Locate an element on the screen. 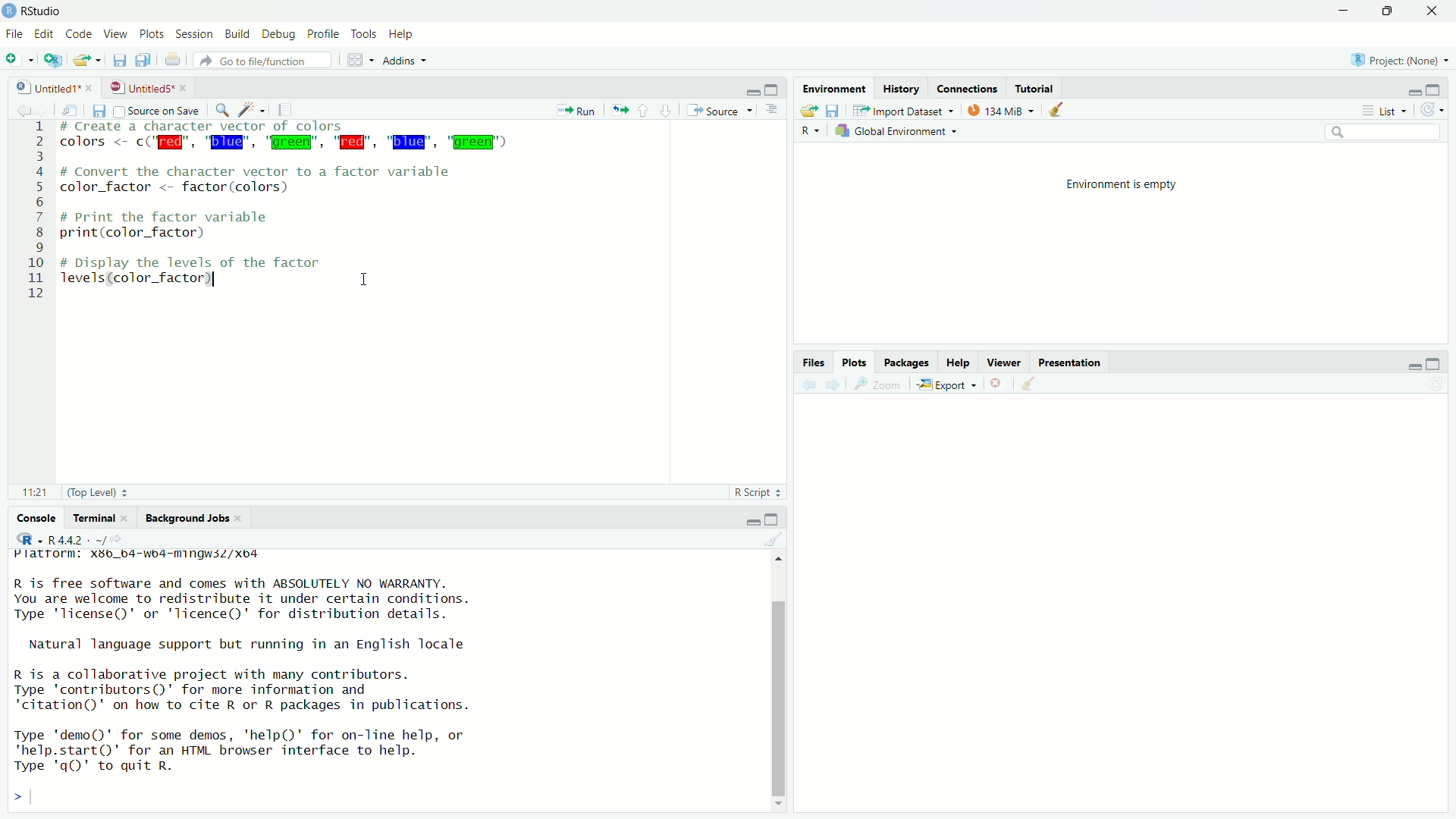 The width and height of the screenshot is (1456, 819). RStudio is located at coordinates (44, 10).